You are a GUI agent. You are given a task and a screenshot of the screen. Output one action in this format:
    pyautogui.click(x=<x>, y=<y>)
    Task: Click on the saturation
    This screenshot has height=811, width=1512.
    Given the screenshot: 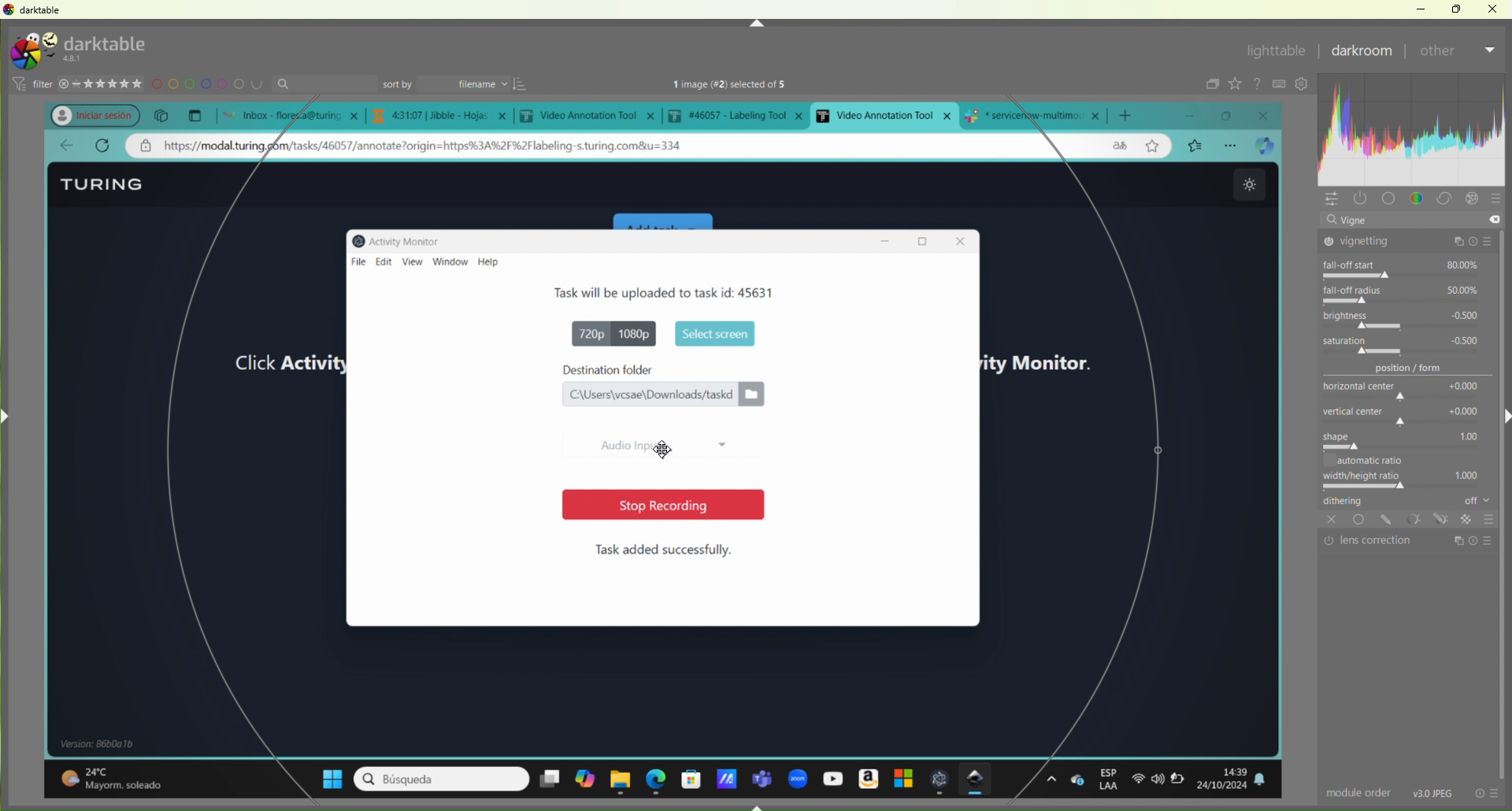 What is the action you would take?
    pyautogui.click(x=1411, y=344)
    